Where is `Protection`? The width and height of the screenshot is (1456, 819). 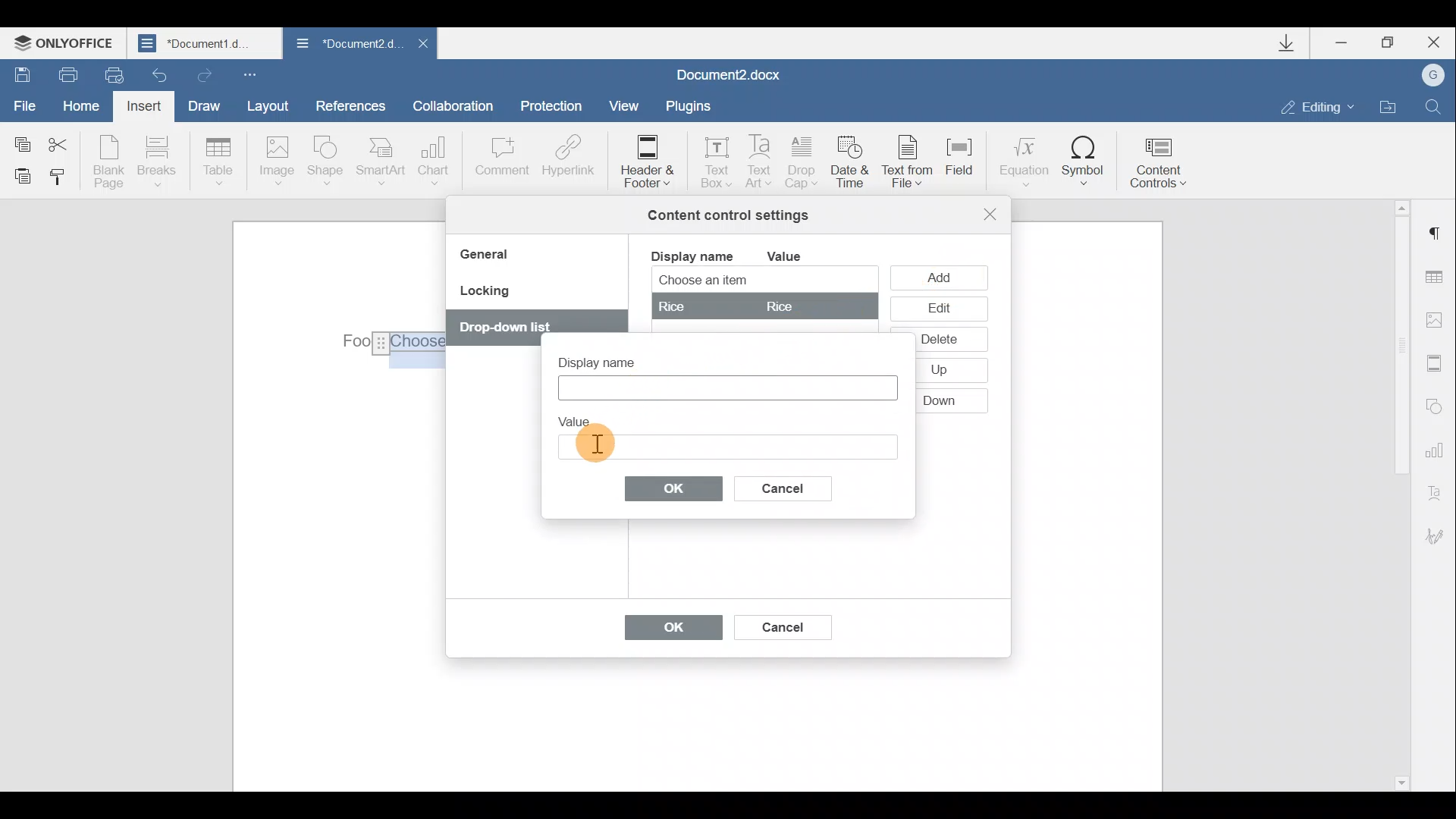 Protection is located at coordinates (555, 108).